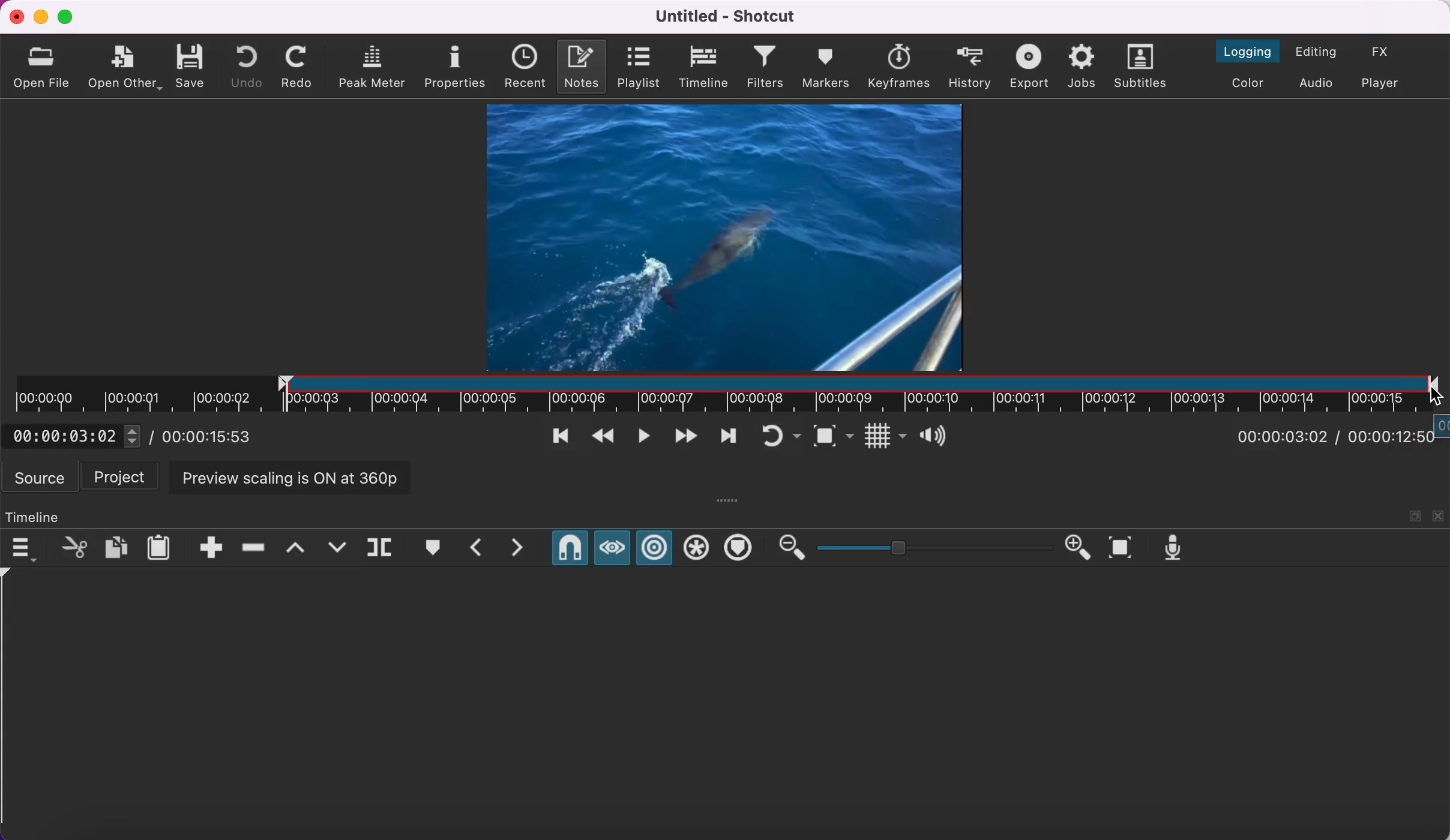 The height and width of the screenshot is (840, 1450). I want to click on next marker, so click(520, 548).